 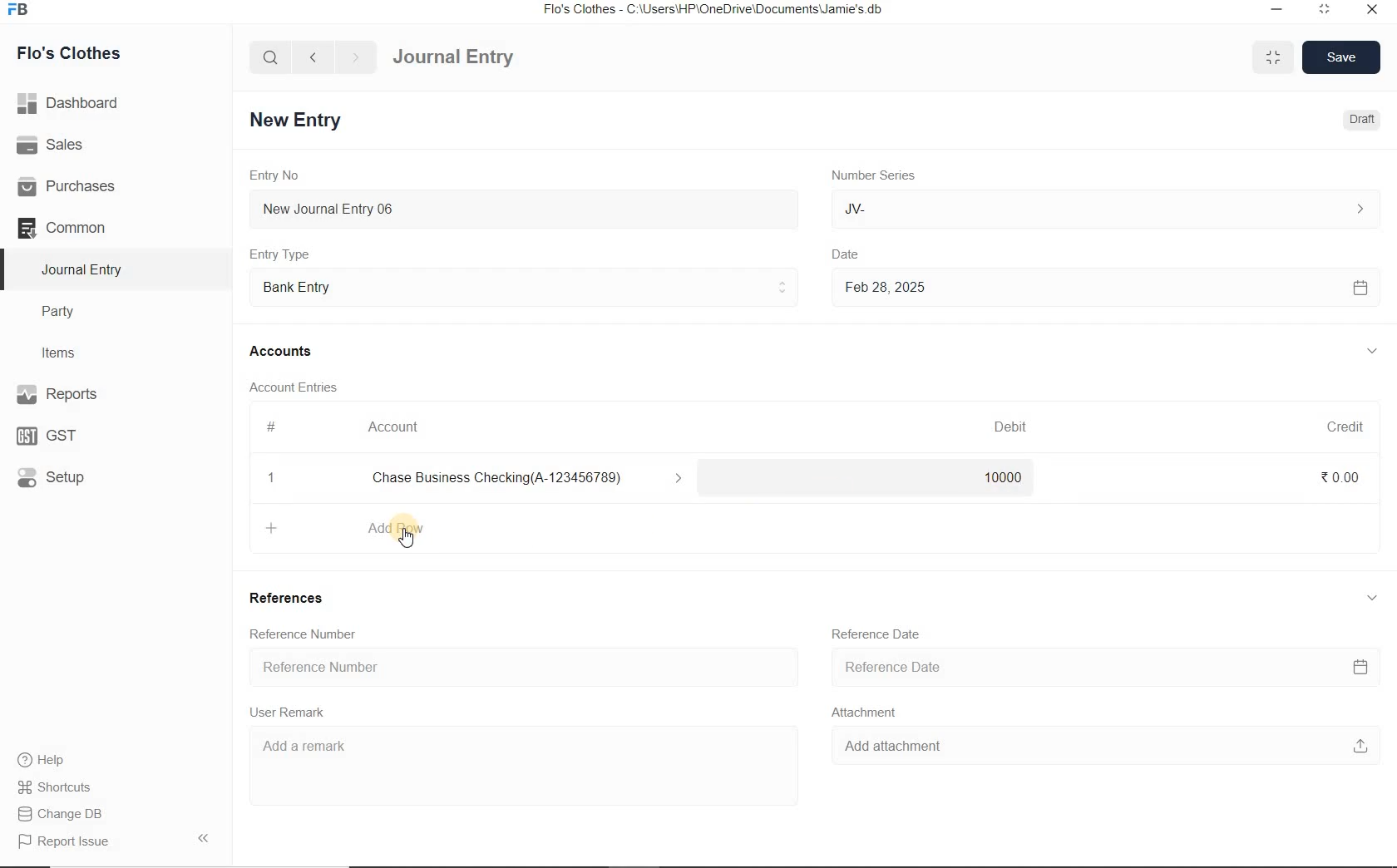 I want to click on maximize, so click(x=1325, y=8).